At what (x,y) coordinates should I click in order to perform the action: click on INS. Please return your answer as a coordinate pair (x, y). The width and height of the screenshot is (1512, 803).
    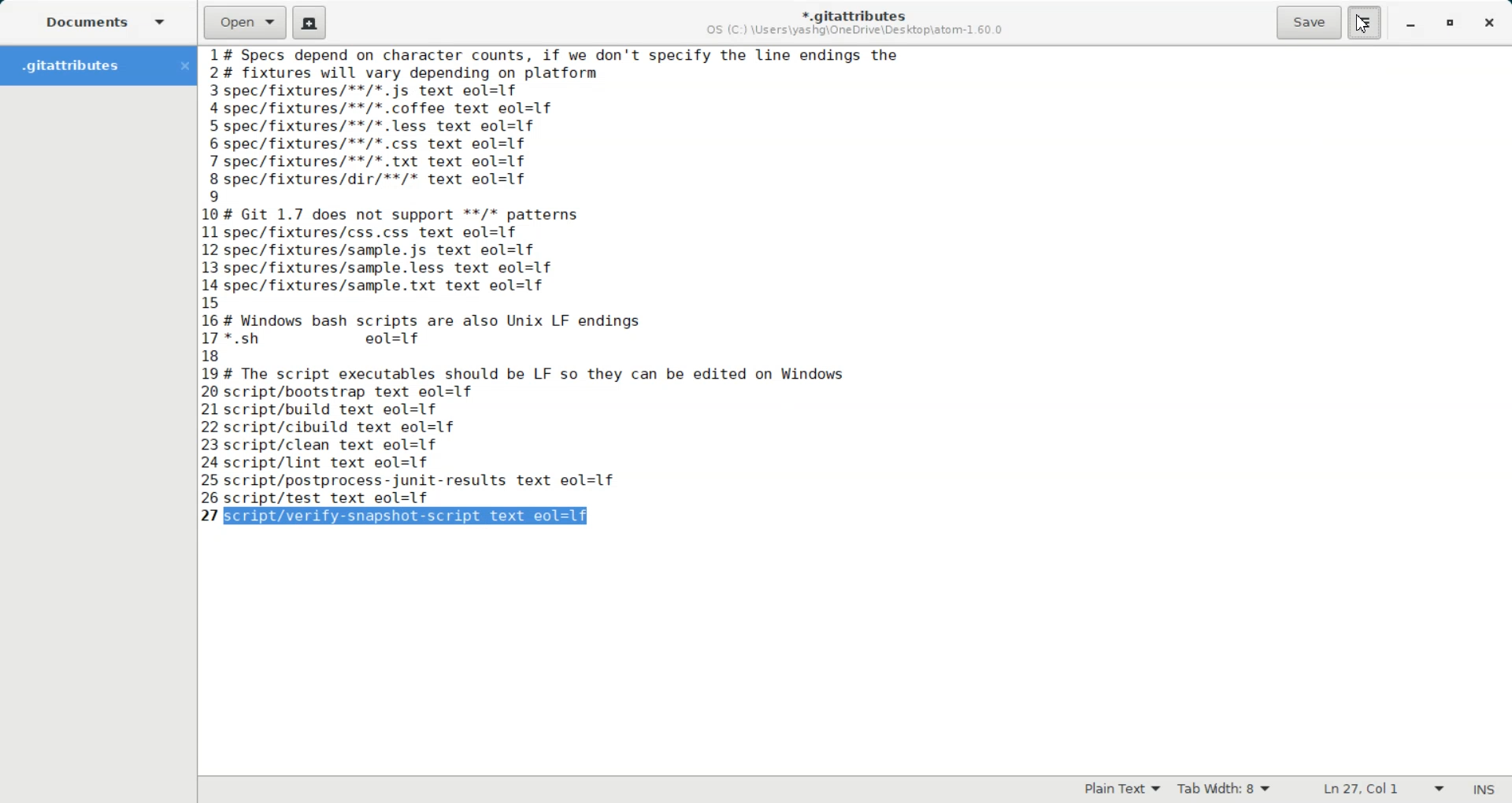
    Looking at the image, I should click on (1484, 789).